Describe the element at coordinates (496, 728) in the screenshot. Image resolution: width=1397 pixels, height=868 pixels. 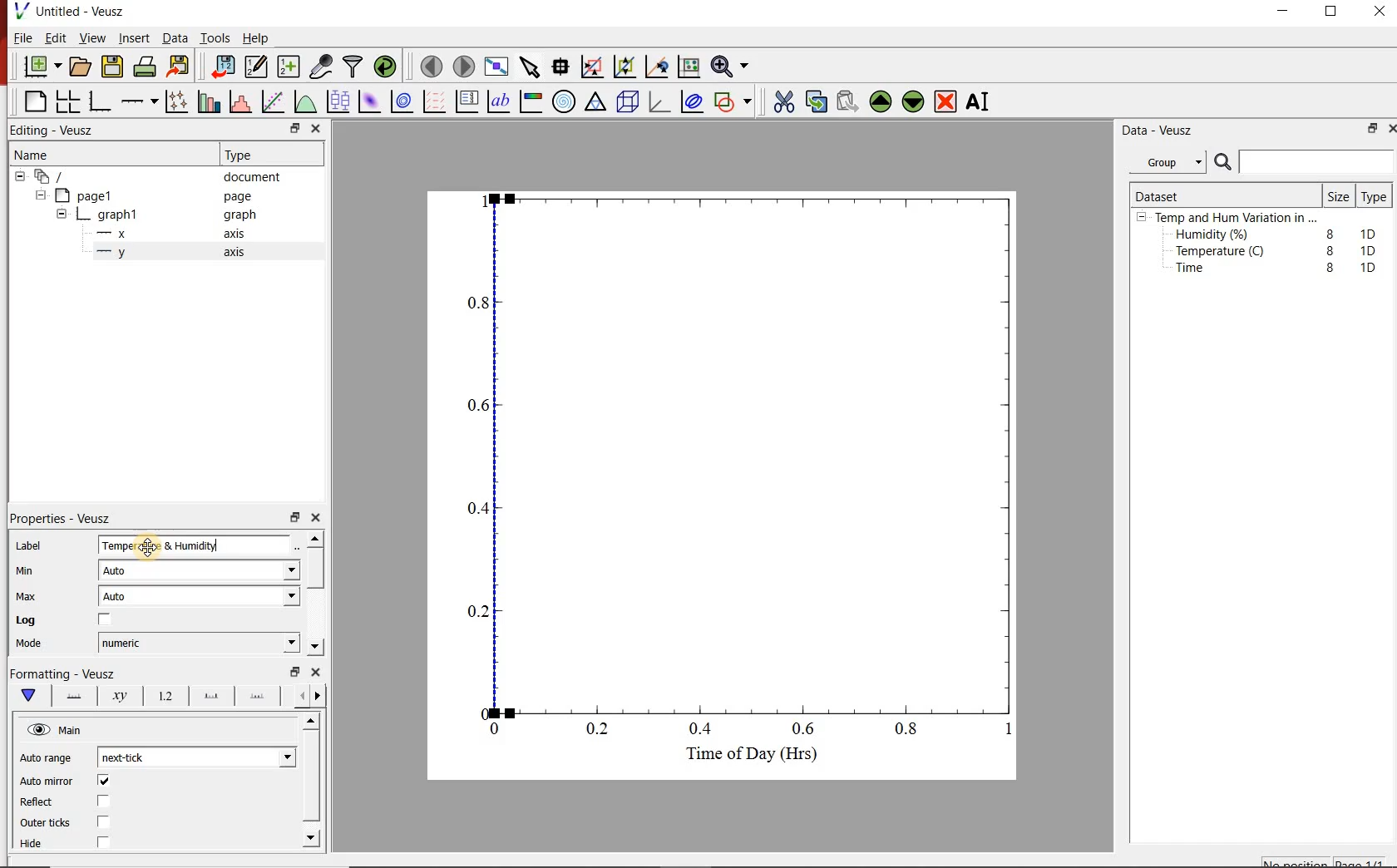
I see `0` at that location.